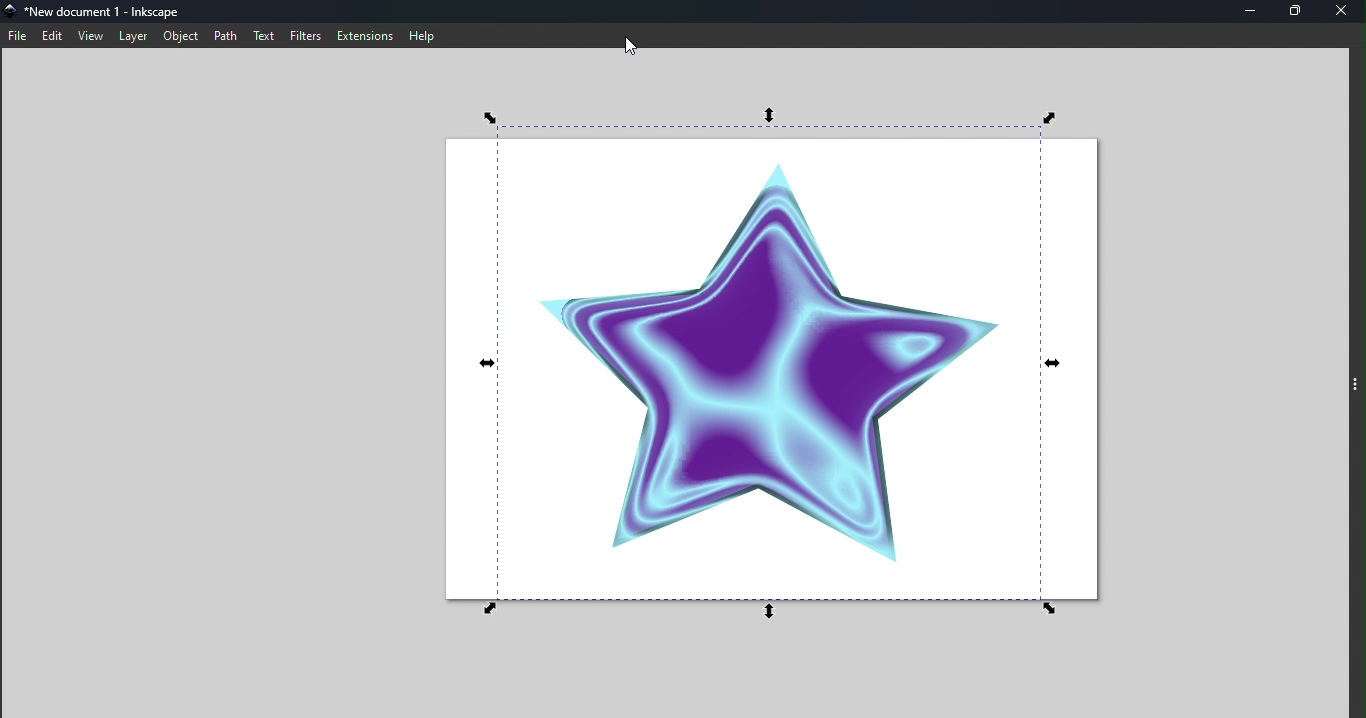  Describe the element at coordinates (17, 37) in the screenshot. I see `File` at that location.